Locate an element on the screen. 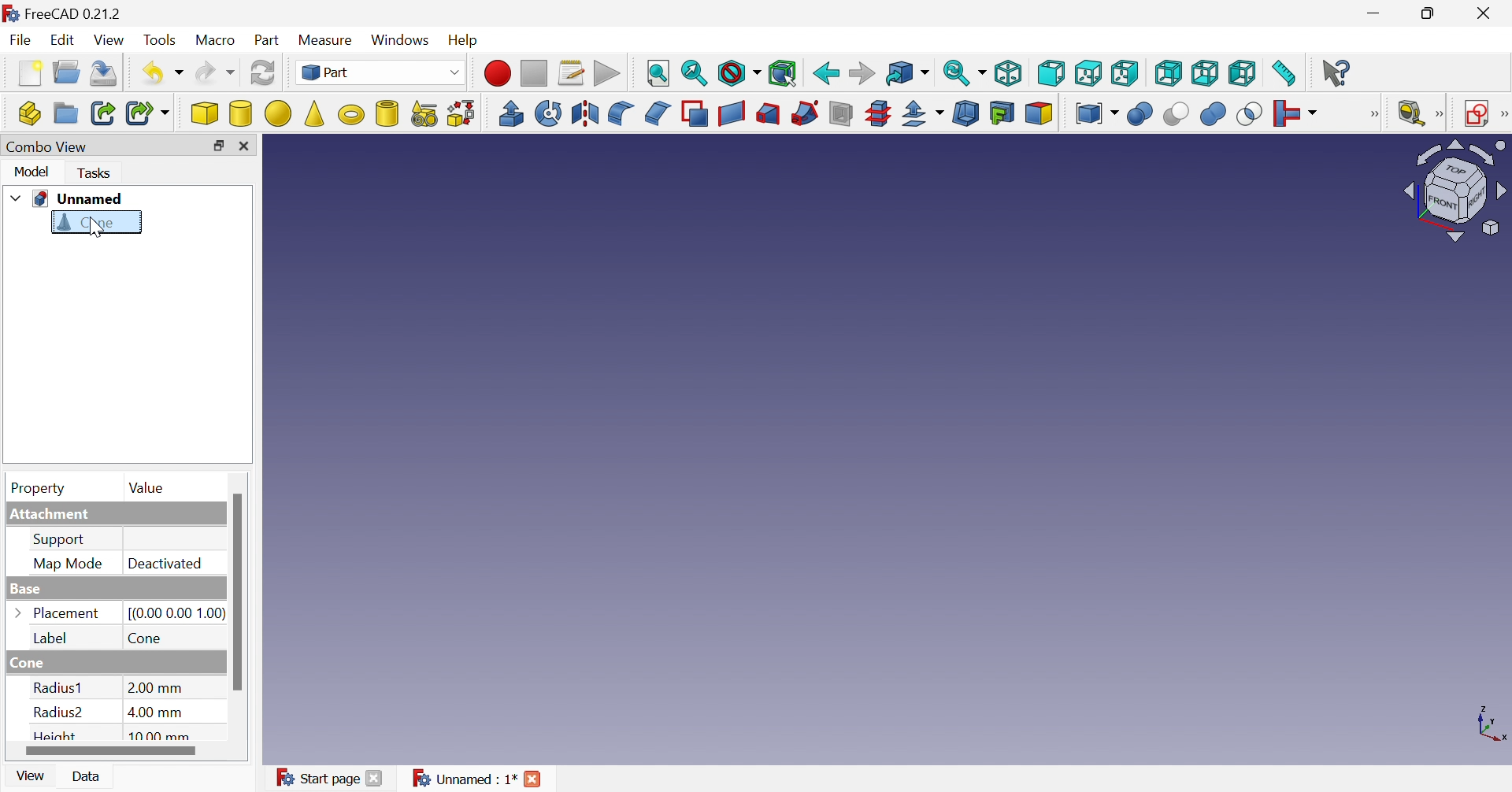 The width and height of the screenshot is (1512, 792). Cone is located at coordinates (25, 663).